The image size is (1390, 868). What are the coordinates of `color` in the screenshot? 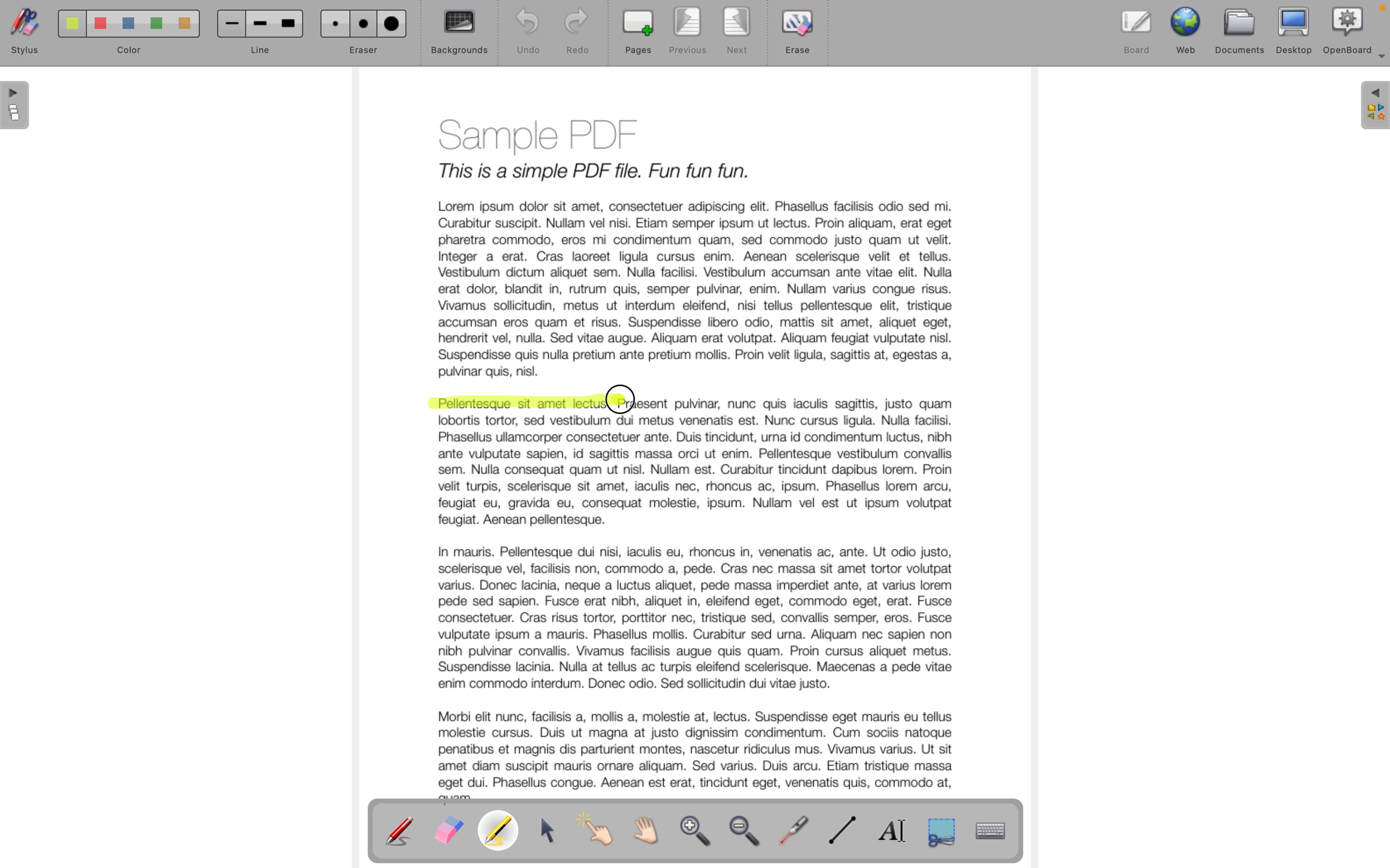 It's located at (123, 36).